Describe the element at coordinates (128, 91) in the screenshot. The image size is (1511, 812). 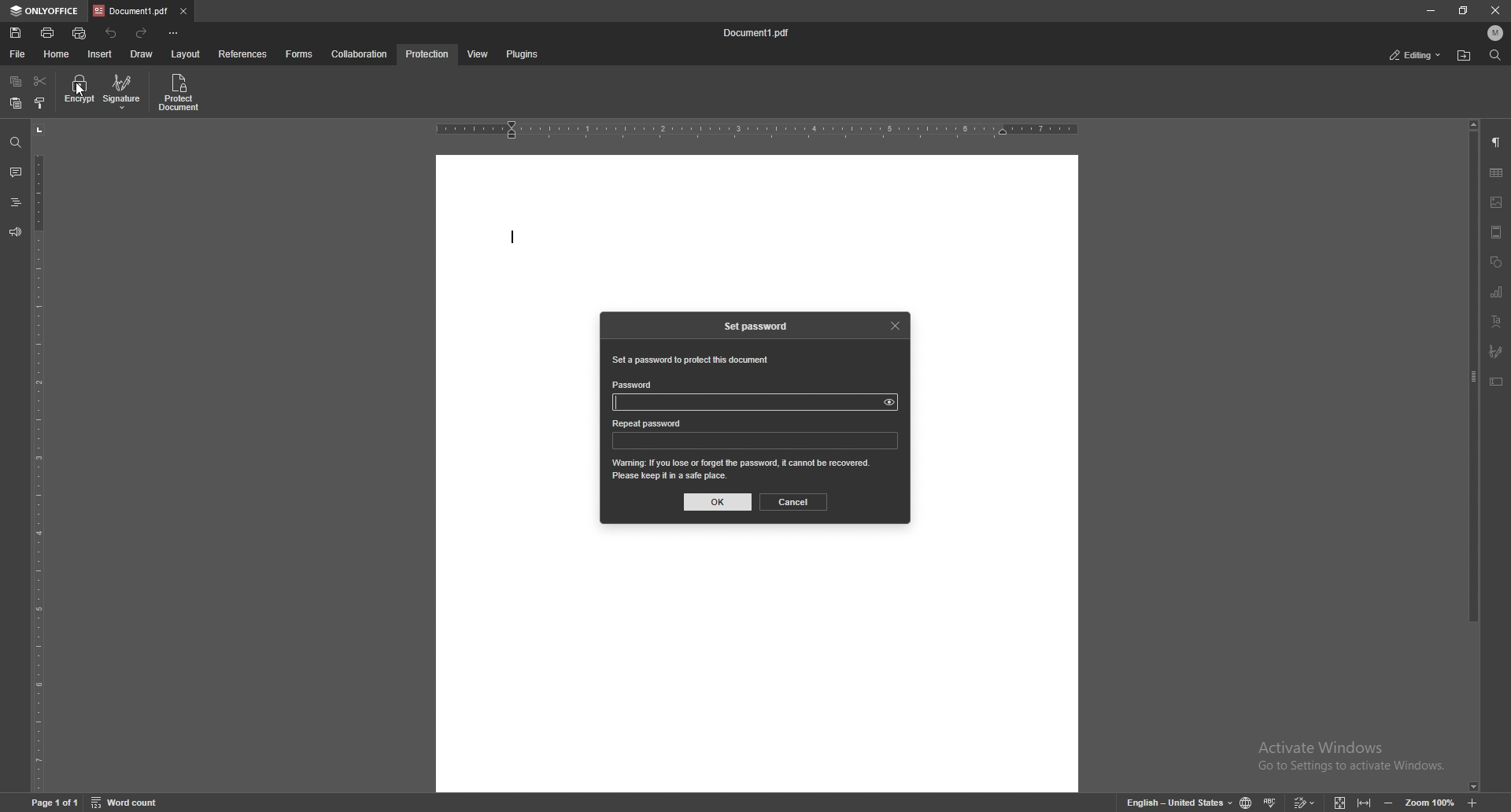
I see `signature` at that location.